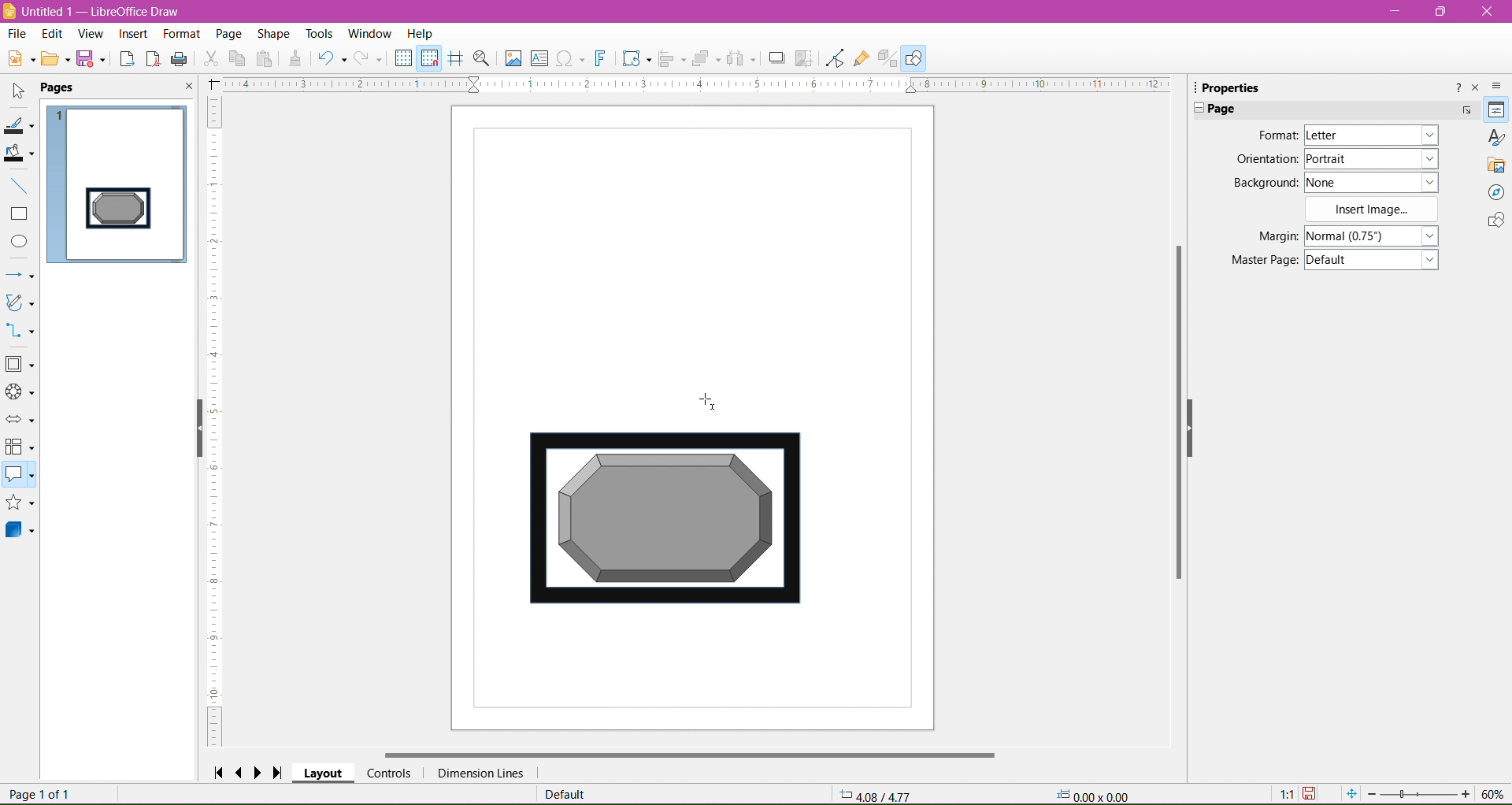  I want to click on Pages, so click(61, 88).